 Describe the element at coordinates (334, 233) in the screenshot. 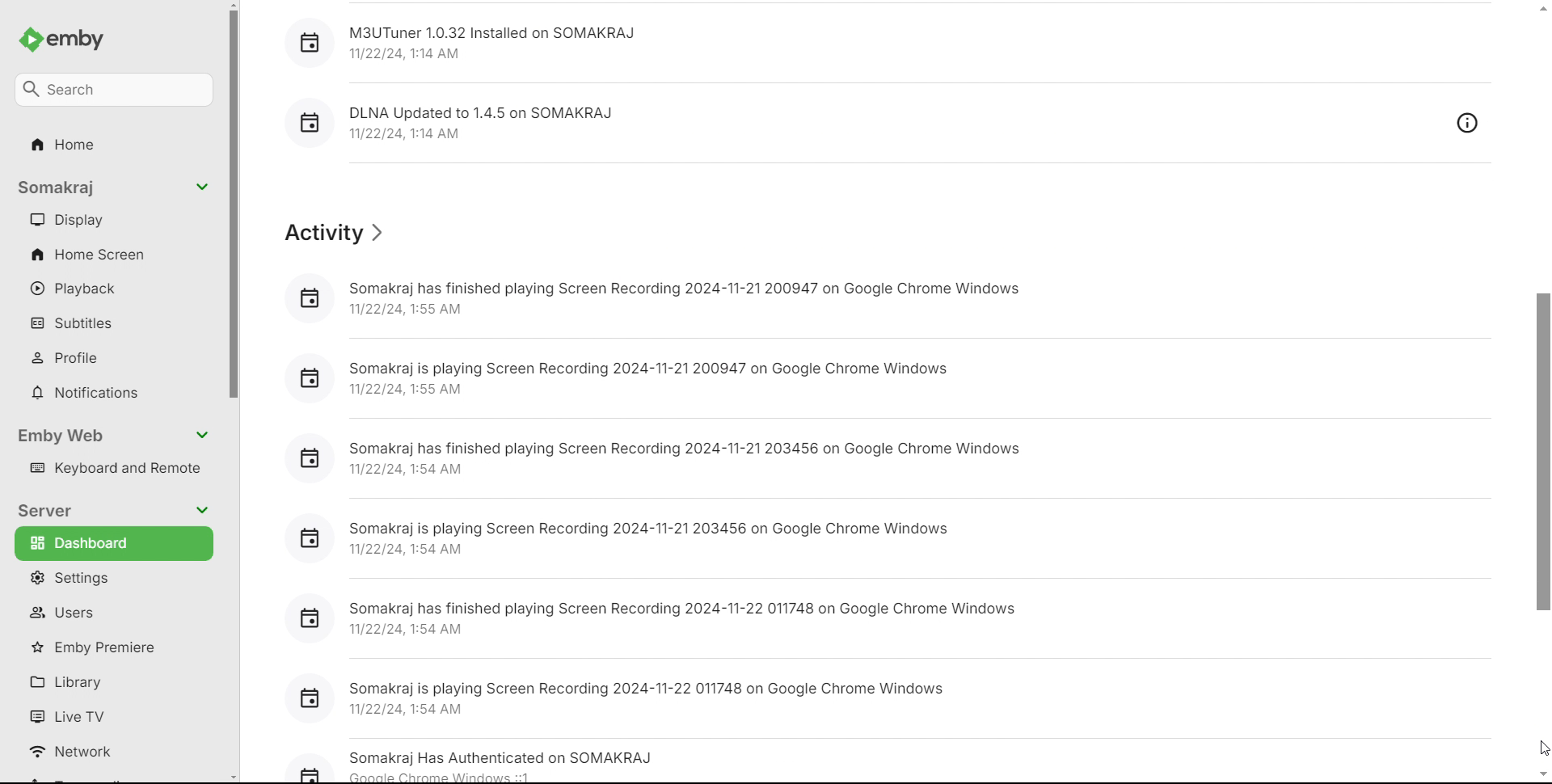

I see `activity` at that location.